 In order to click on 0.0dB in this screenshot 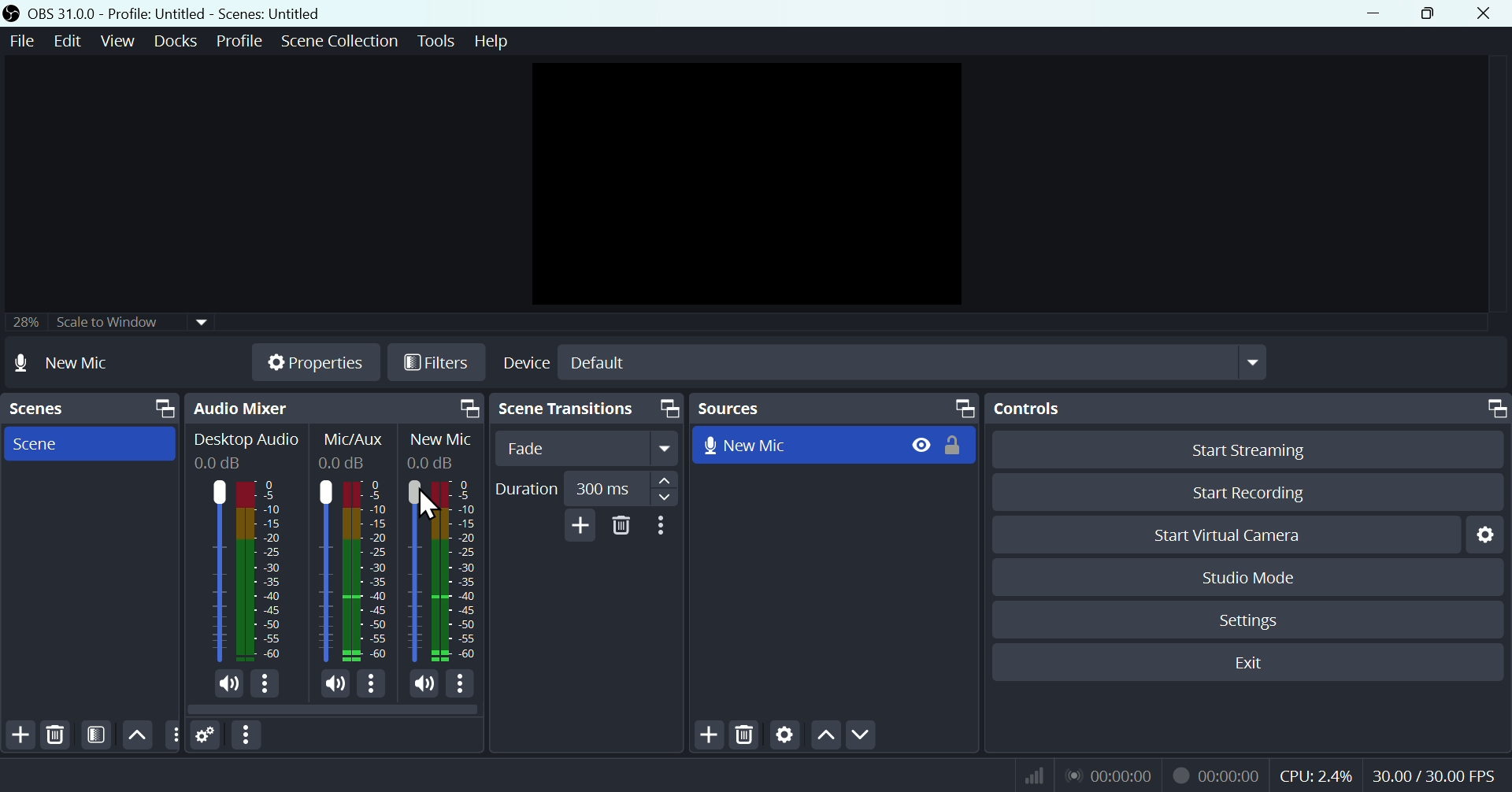, I will do `click(220, 464)`.